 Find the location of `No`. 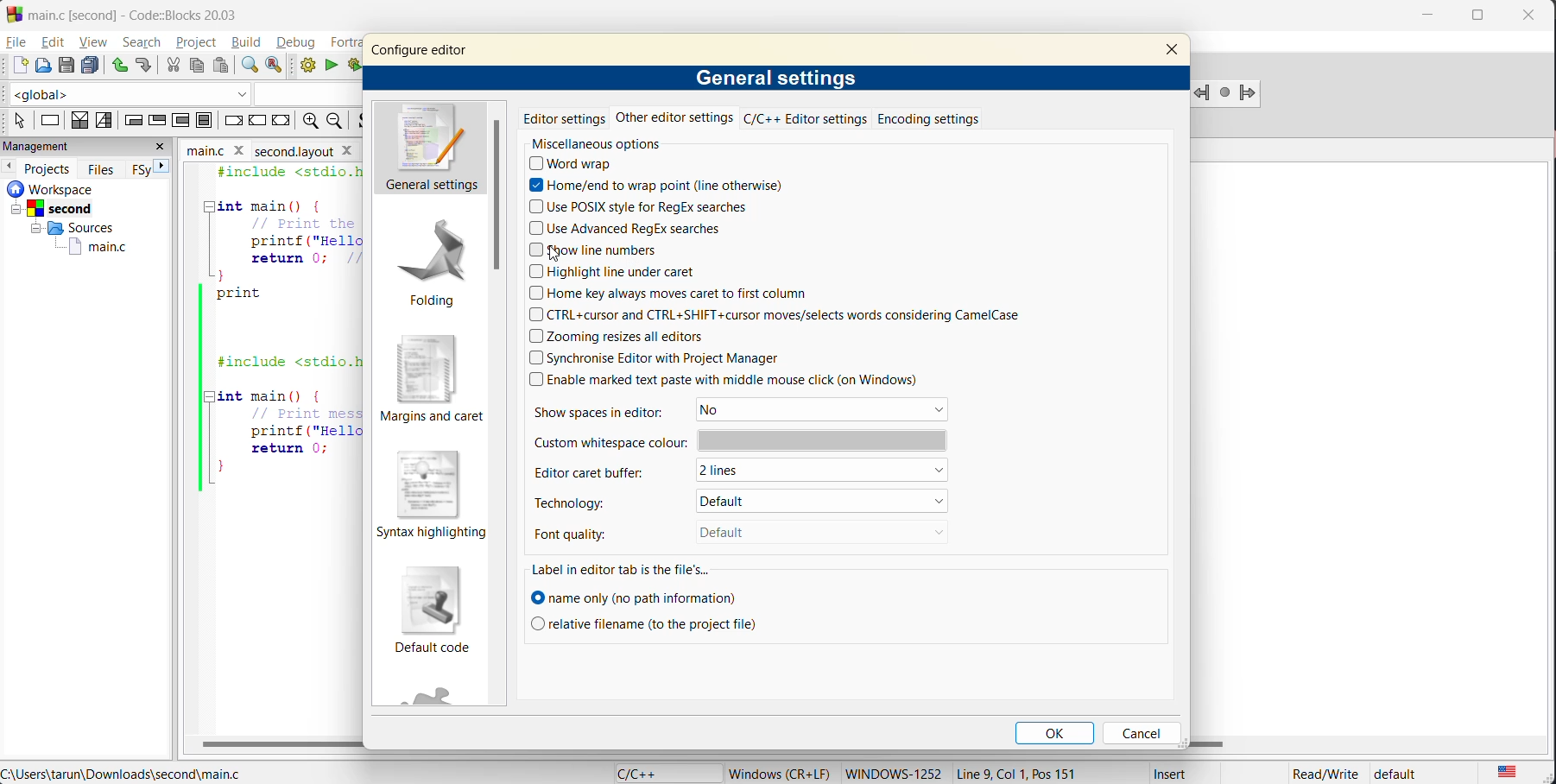

No is located at coordinates (813, 411).